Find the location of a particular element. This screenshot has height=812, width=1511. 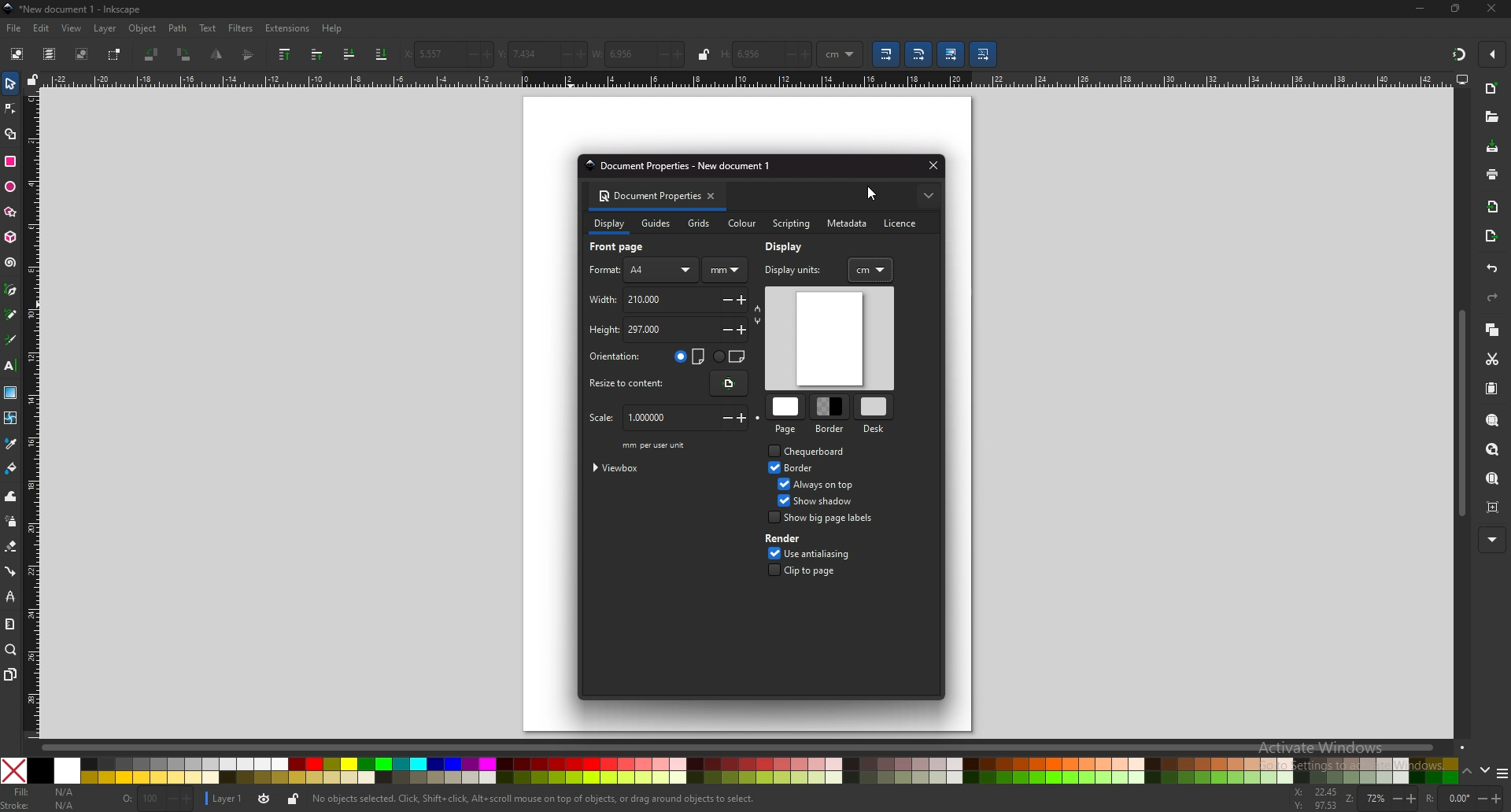

No objects selected. Click, Shift+ click, Alt scroll mouse on top of objects, or drag around objects to select, is located at coordinates (549, 799).